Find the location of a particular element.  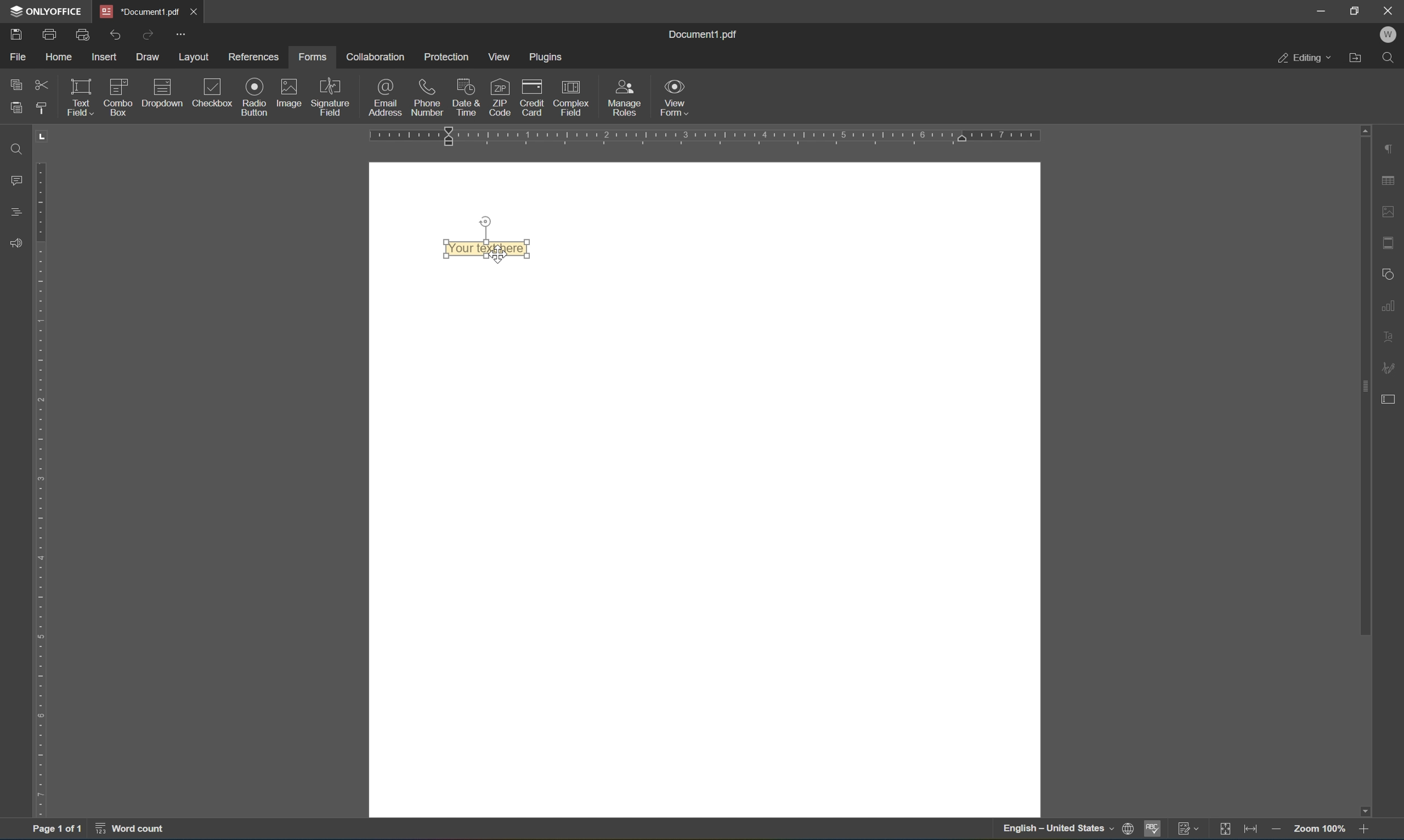

date & time is located at coordinates (466, 96).